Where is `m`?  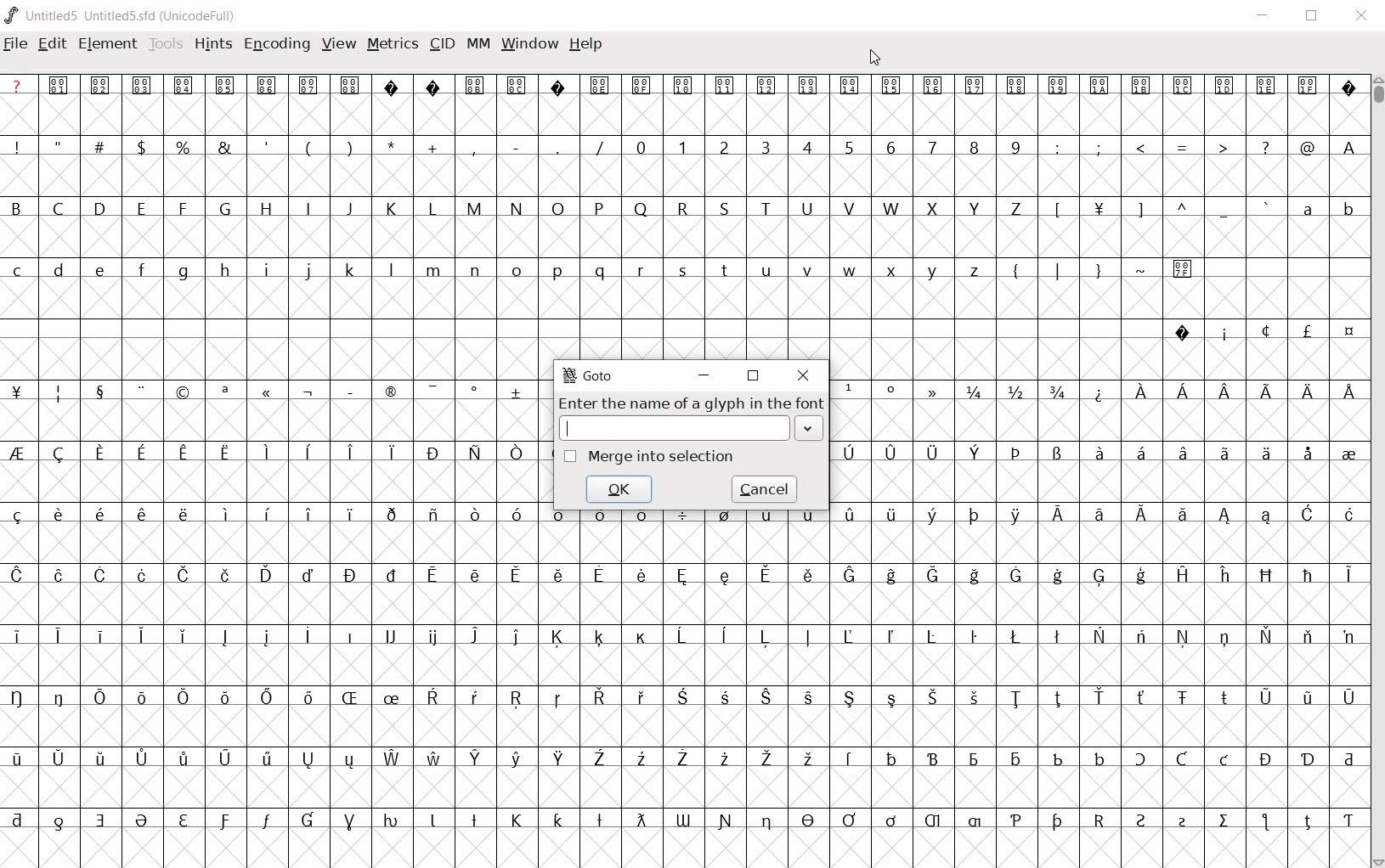
m is located at coordinates (433, 270).